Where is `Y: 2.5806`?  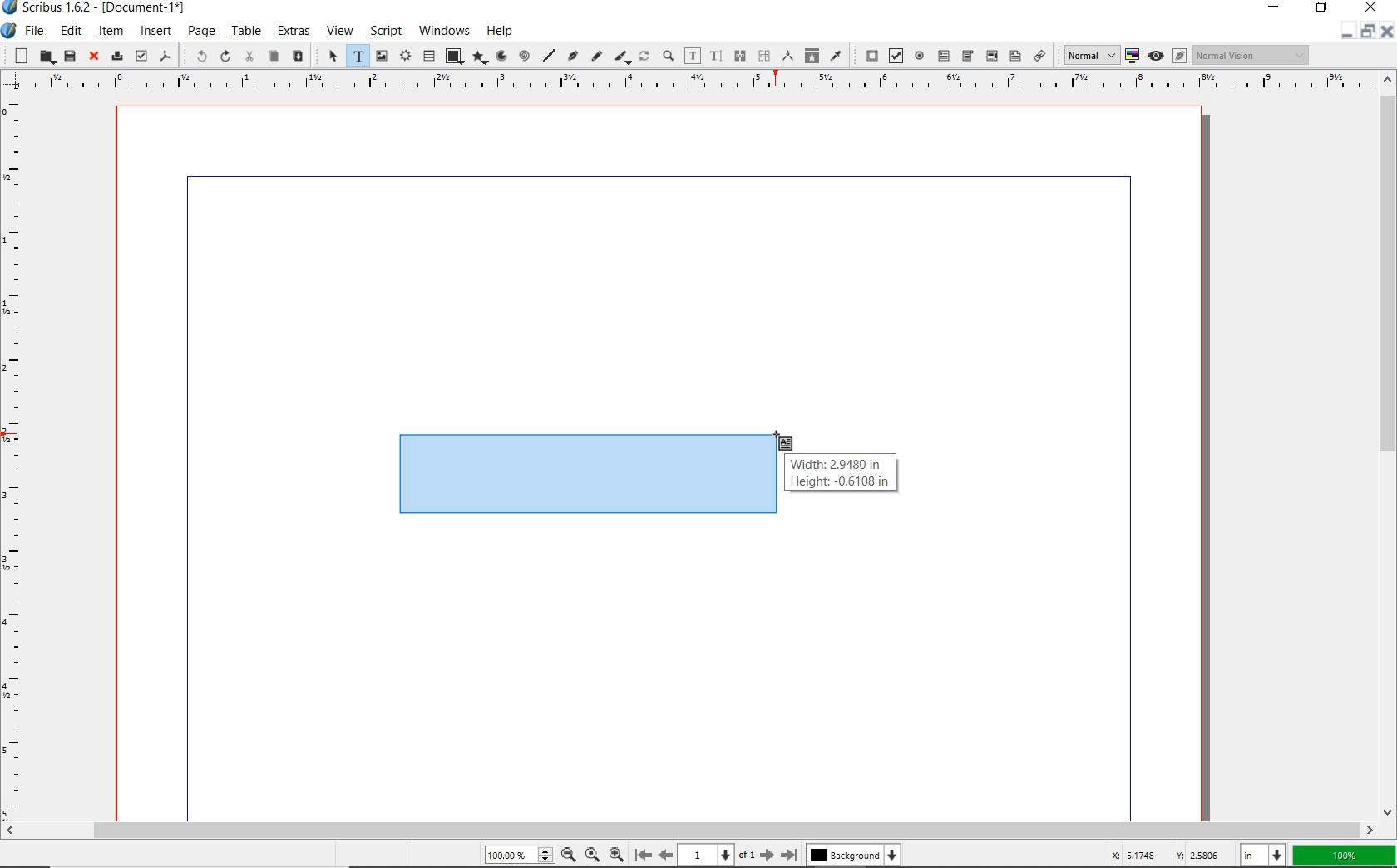 Y: 2.5806 is located at coordinates (1200, 855).